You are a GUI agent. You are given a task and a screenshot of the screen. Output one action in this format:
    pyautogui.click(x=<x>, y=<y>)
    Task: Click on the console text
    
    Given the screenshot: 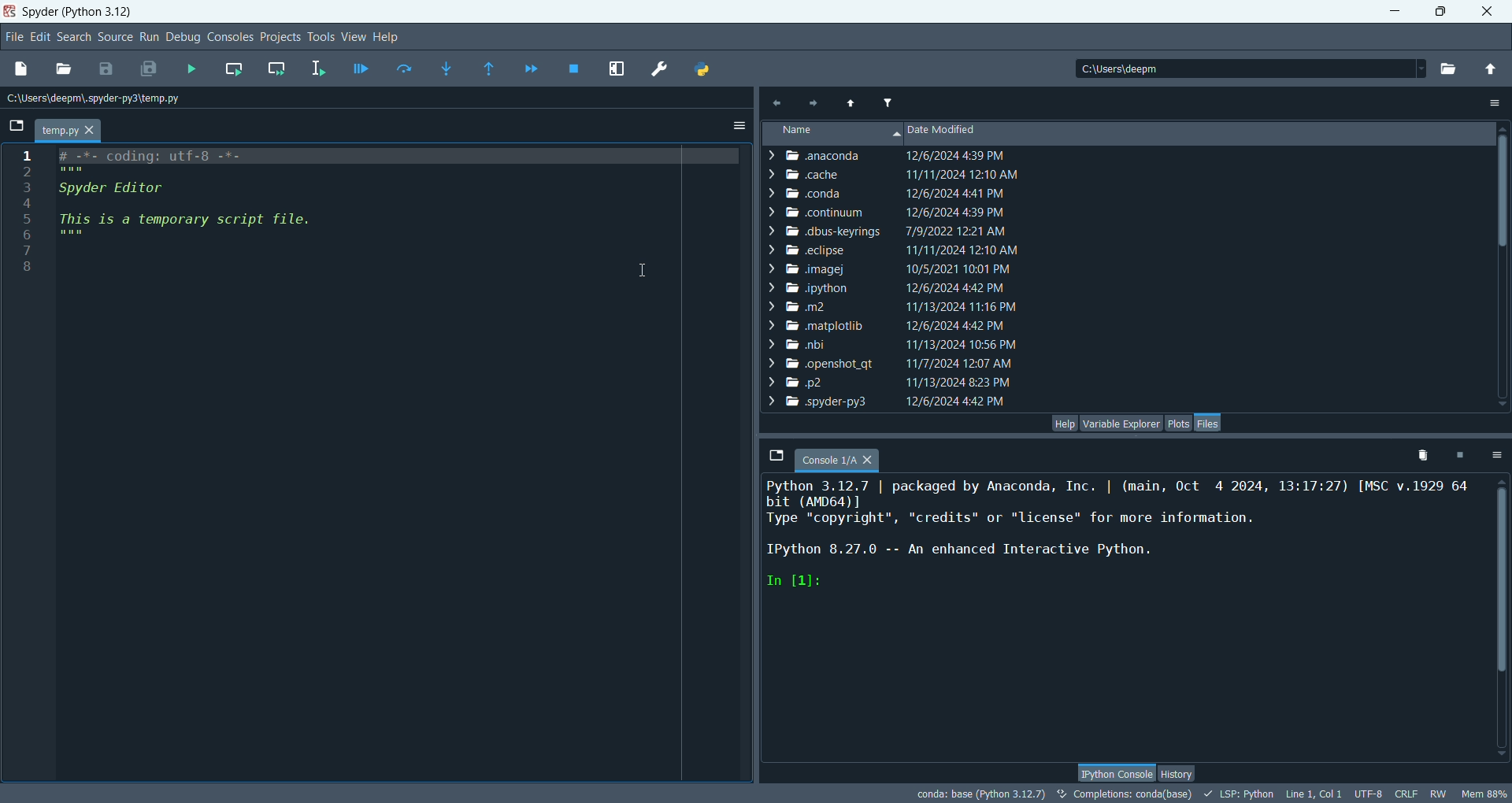 What is the action you would take?
    pyautogui.click(x=1117, y=536)
    